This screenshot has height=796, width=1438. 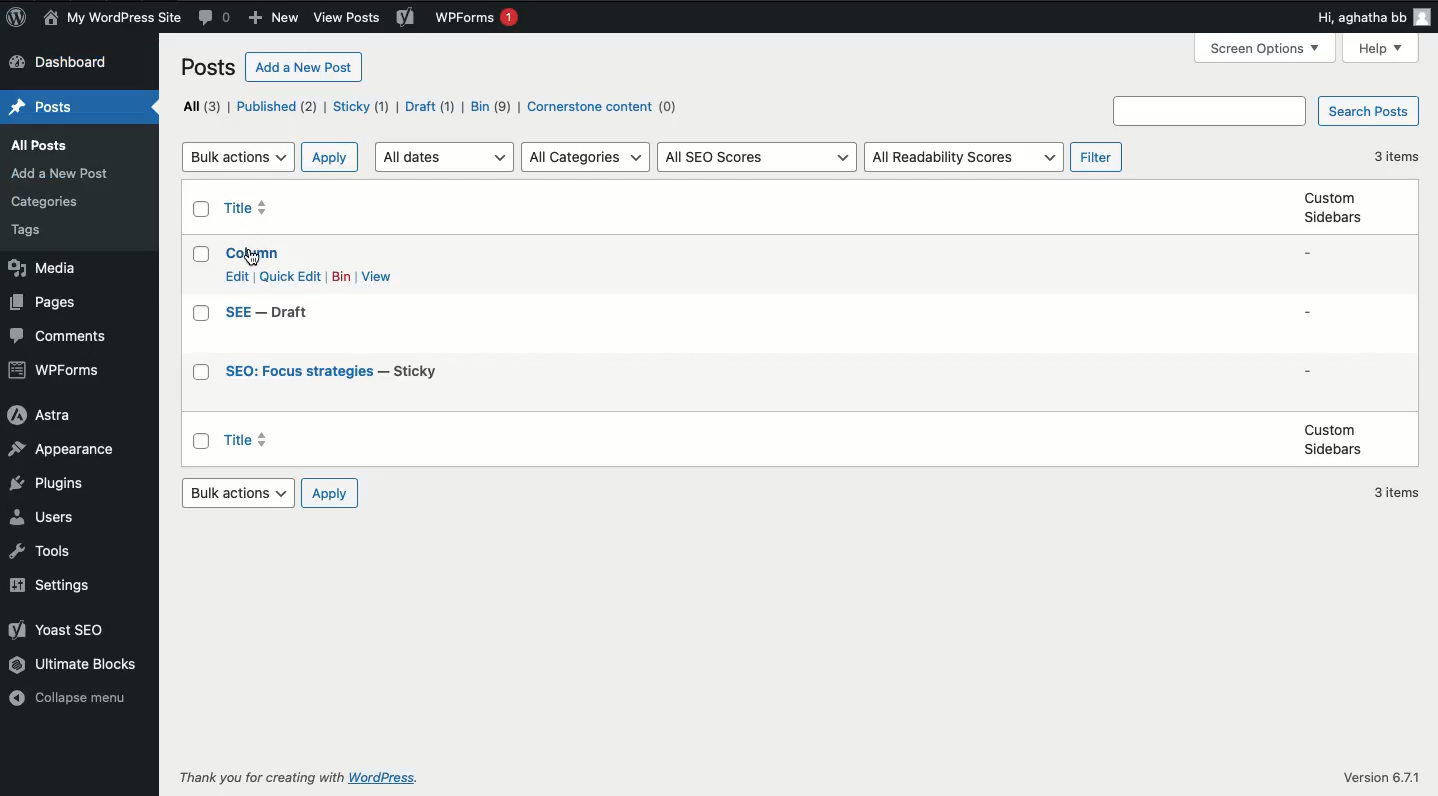 What do you see at coordinates (42, 145) in the screenshot?
I see `` at bounding box center [42, 145].